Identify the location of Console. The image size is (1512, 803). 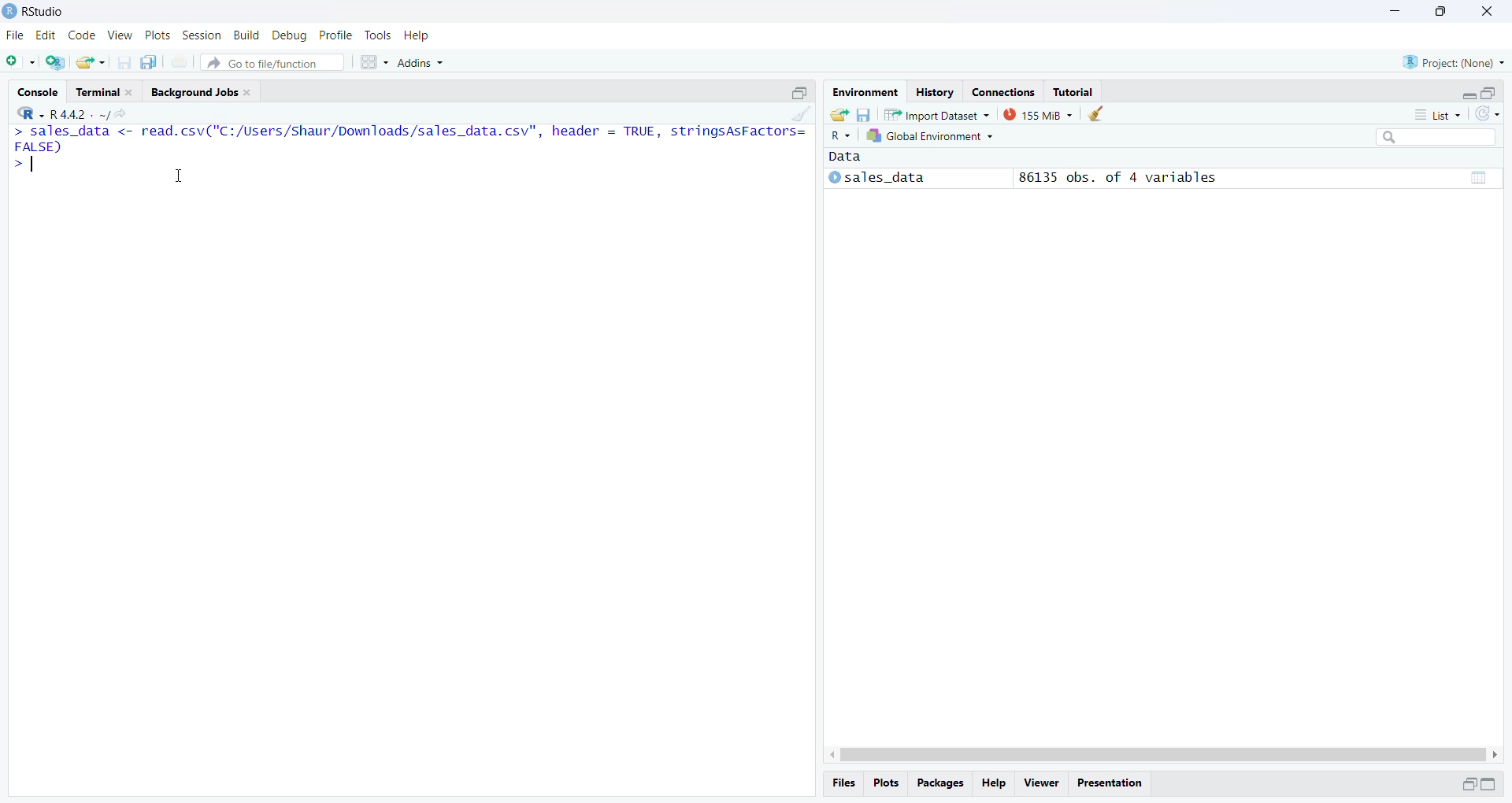
(38, 91).